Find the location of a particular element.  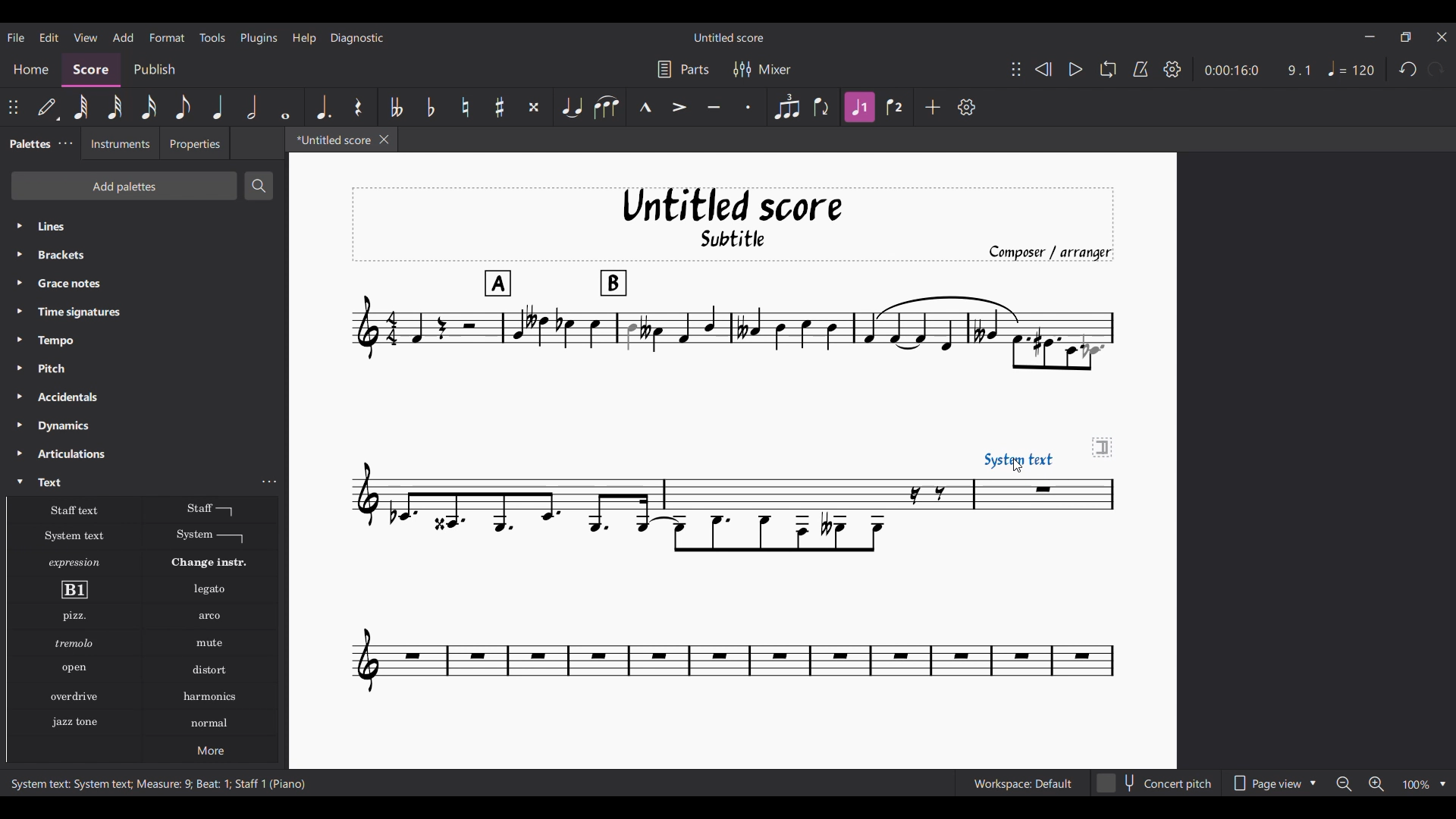

Publish section is located at coordinates (154, 70).